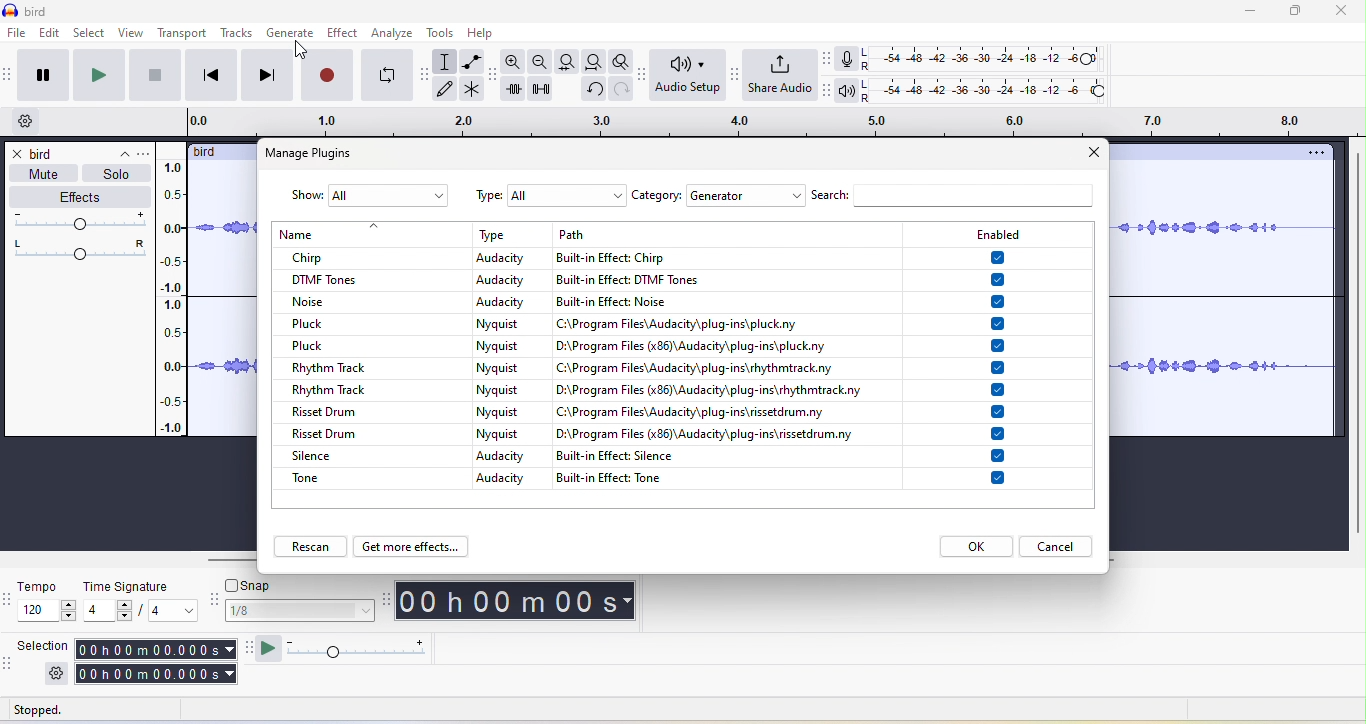 This screenshot has height=724, width=1366. What do you see at coordinates (1095, 155) in the screenshot?
I see `close` at bounding box center [1095, 155].